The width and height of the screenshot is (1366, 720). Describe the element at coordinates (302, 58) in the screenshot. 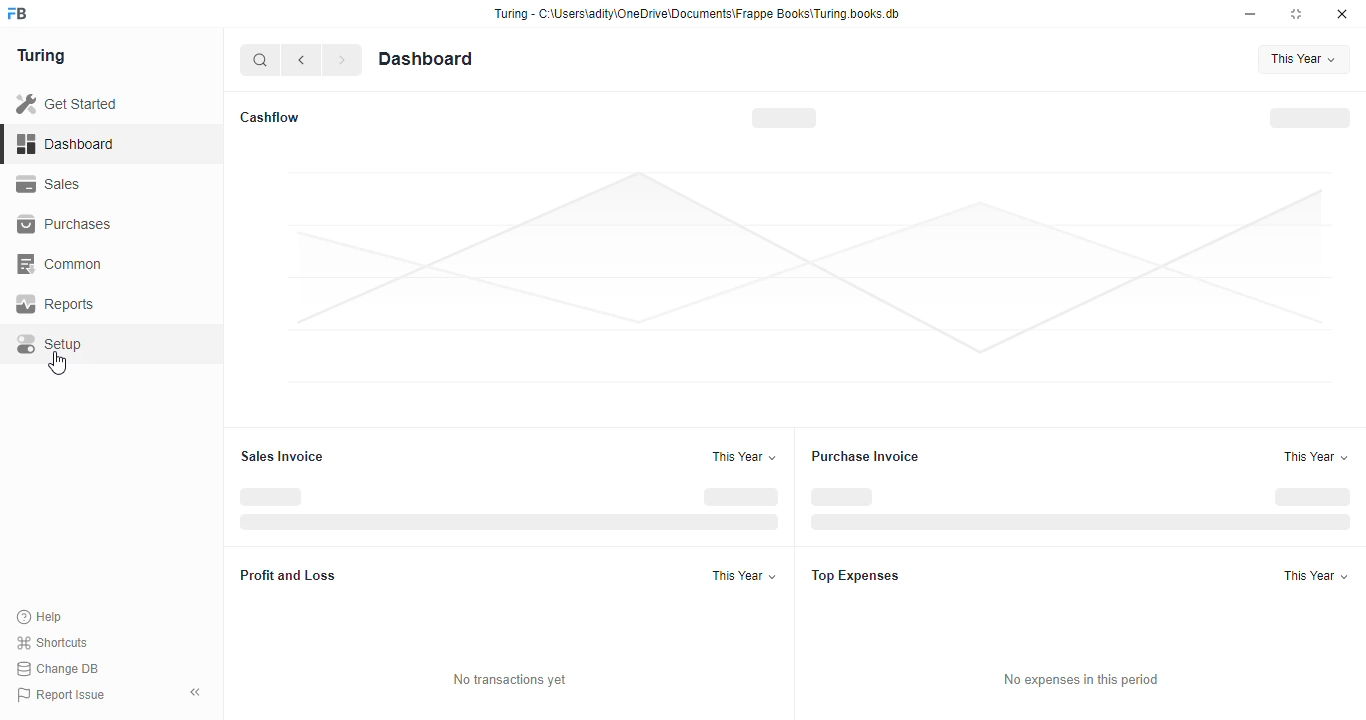

I see `go back` at that location.